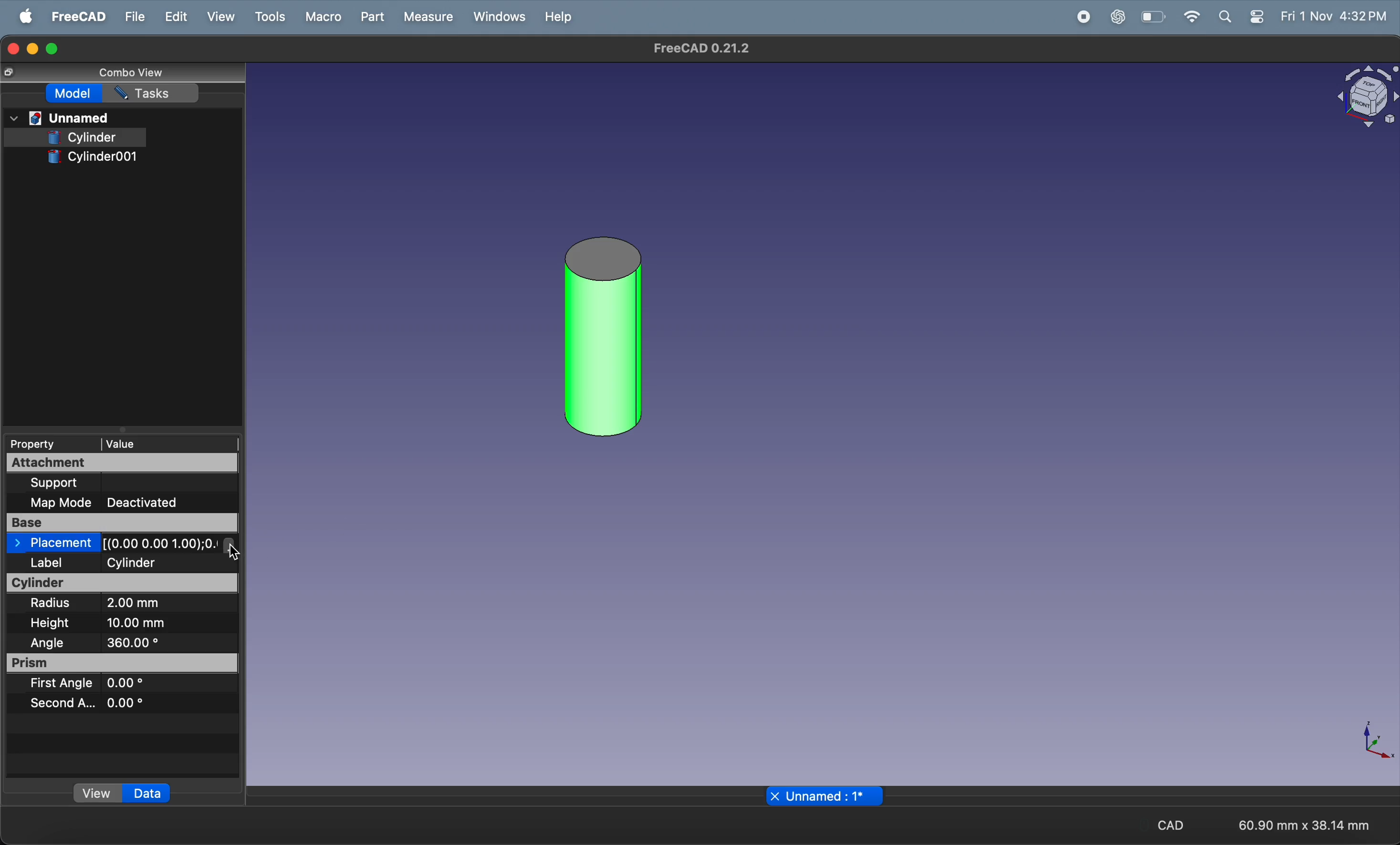 Image resolution: width=1400 pixels, height=845 pixels. What do you see at coordinates (97, 158) in the screenshot?
I see `cylinder001` at bounding box center [97, 158].